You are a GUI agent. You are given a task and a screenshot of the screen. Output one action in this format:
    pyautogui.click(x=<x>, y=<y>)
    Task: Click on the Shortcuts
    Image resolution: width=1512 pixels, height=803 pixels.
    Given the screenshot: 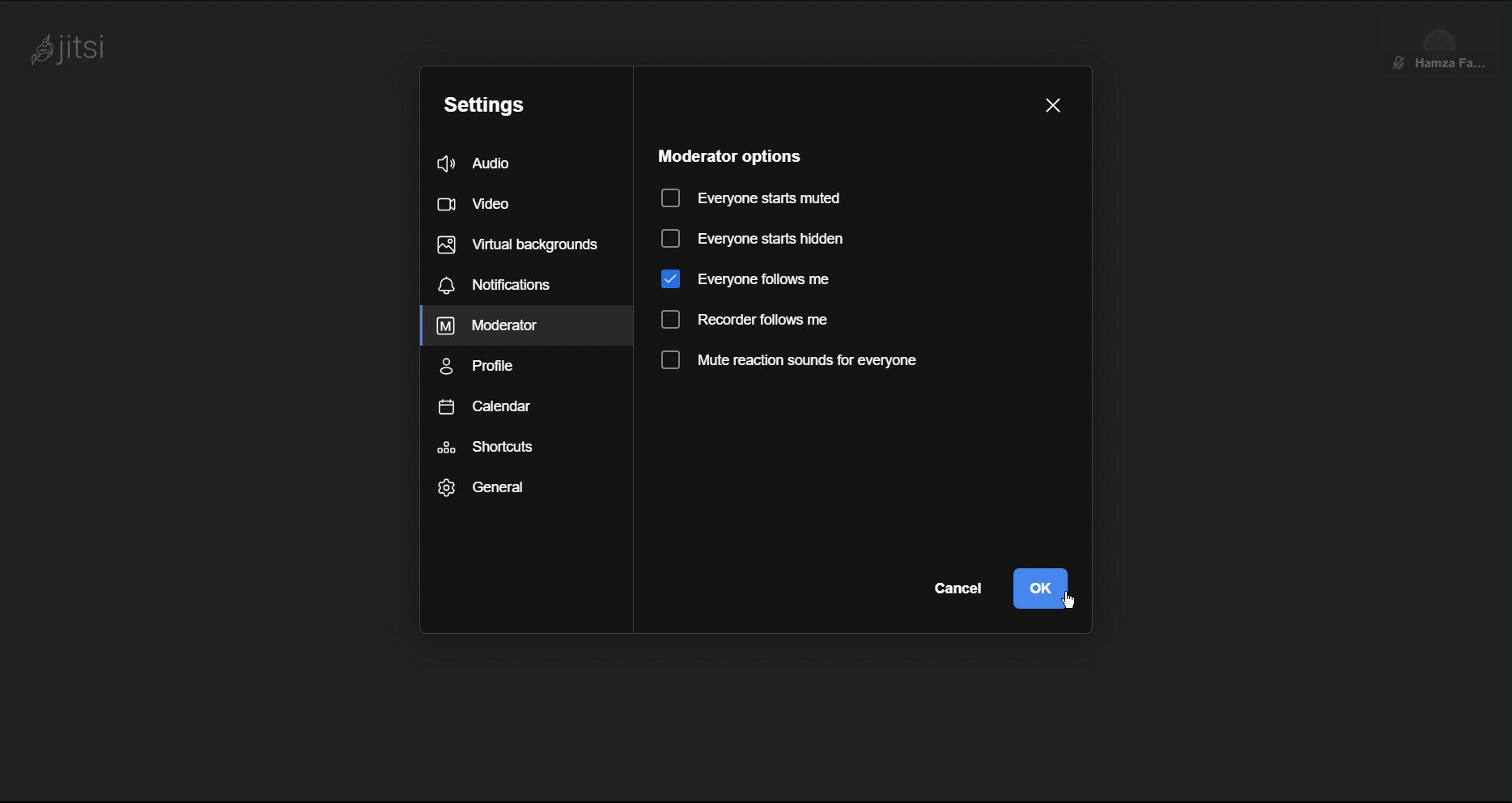 What is the action you would take?
    pyautogui.click(x=487, y=447)
    